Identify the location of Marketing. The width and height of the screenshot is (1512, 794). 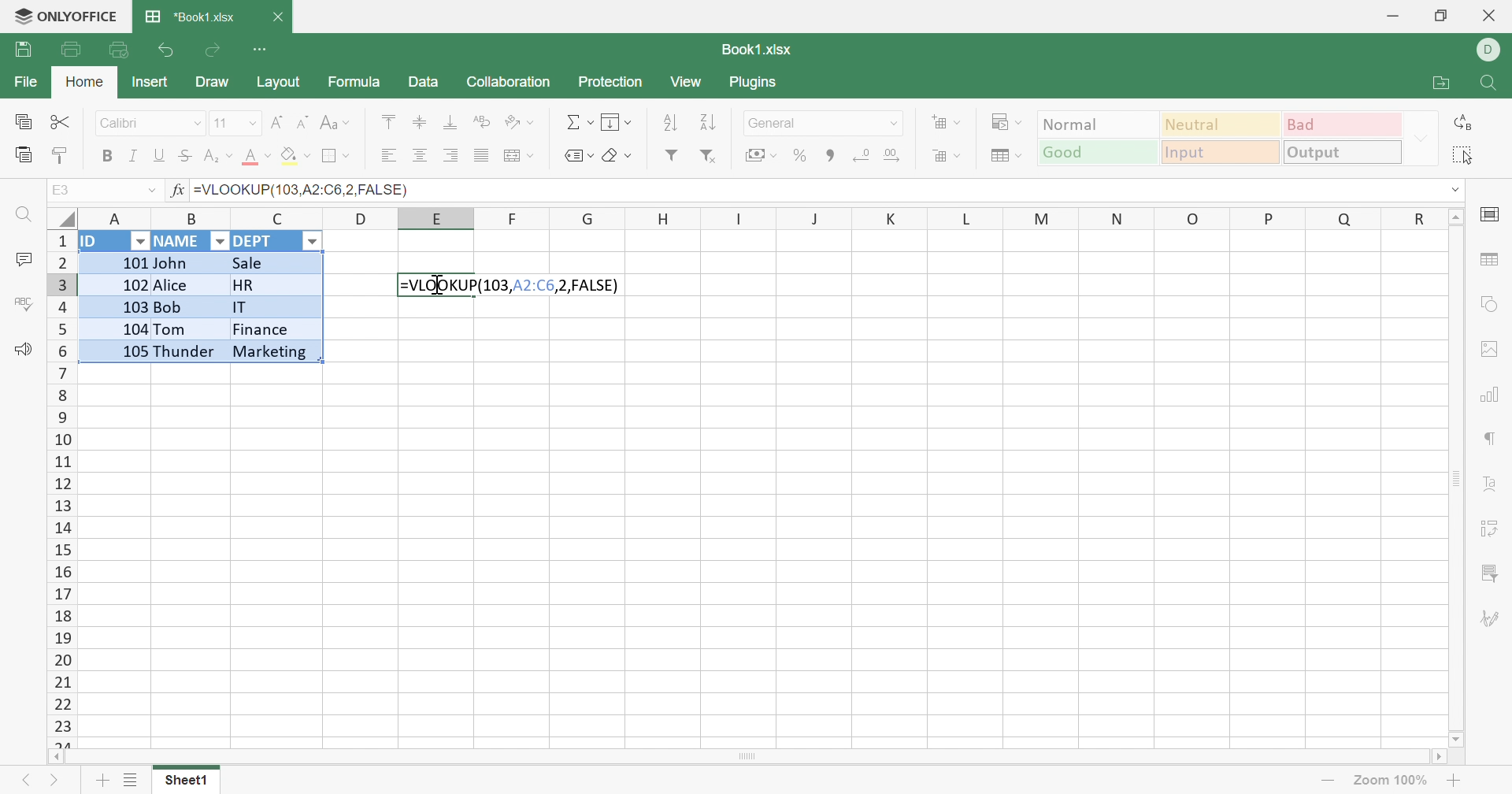
(271, 351).